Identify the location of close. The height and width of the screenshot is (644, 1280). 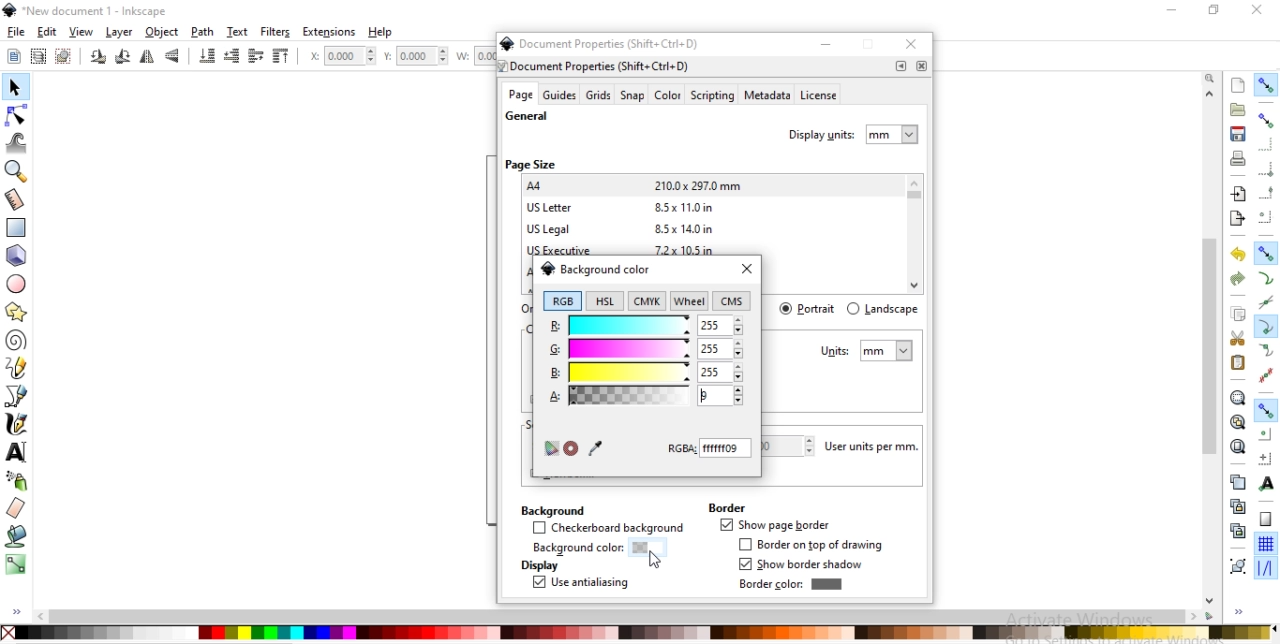
(921, 66).